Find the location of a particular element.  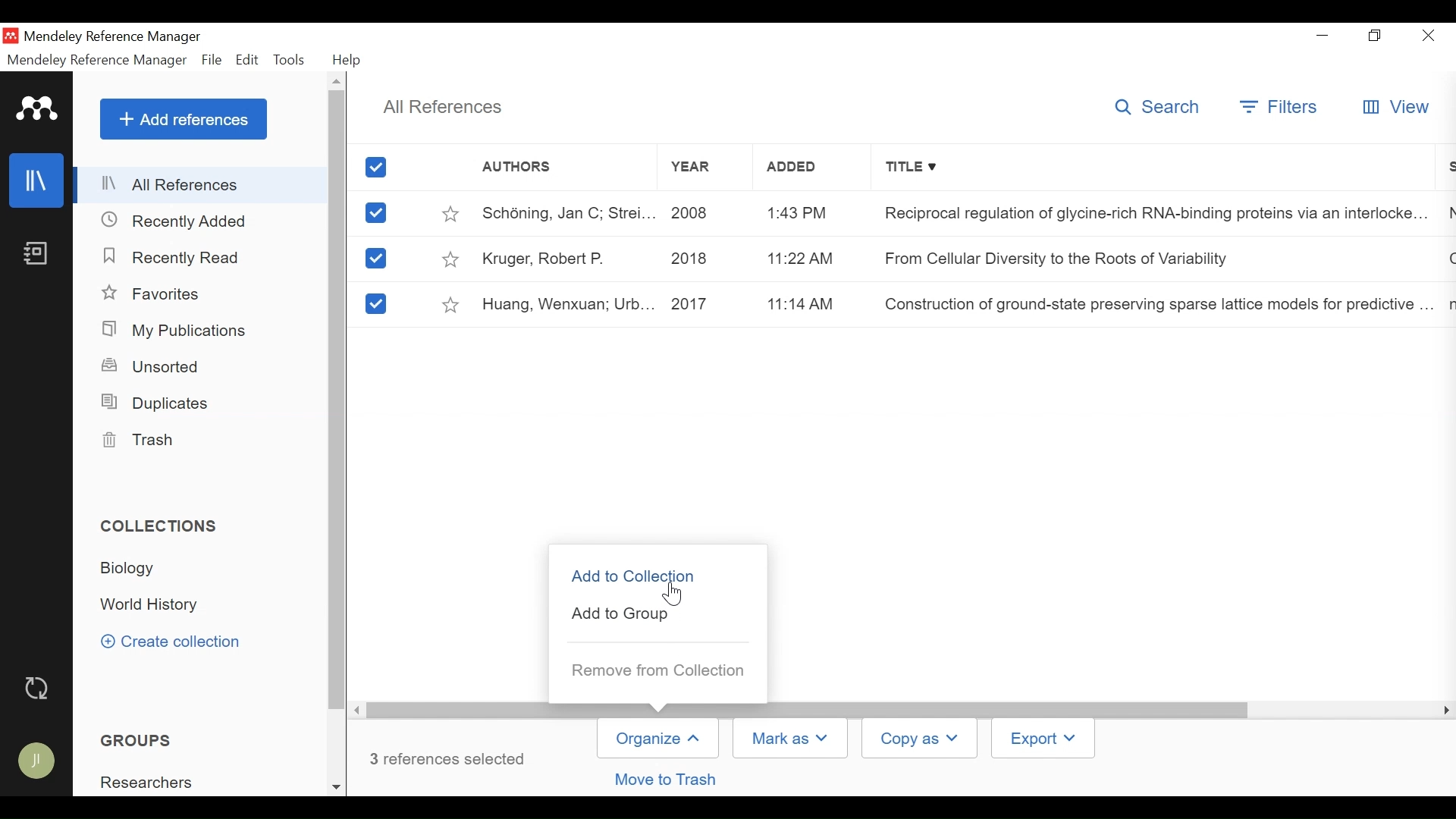

All References is located at coordinates (202, 187).